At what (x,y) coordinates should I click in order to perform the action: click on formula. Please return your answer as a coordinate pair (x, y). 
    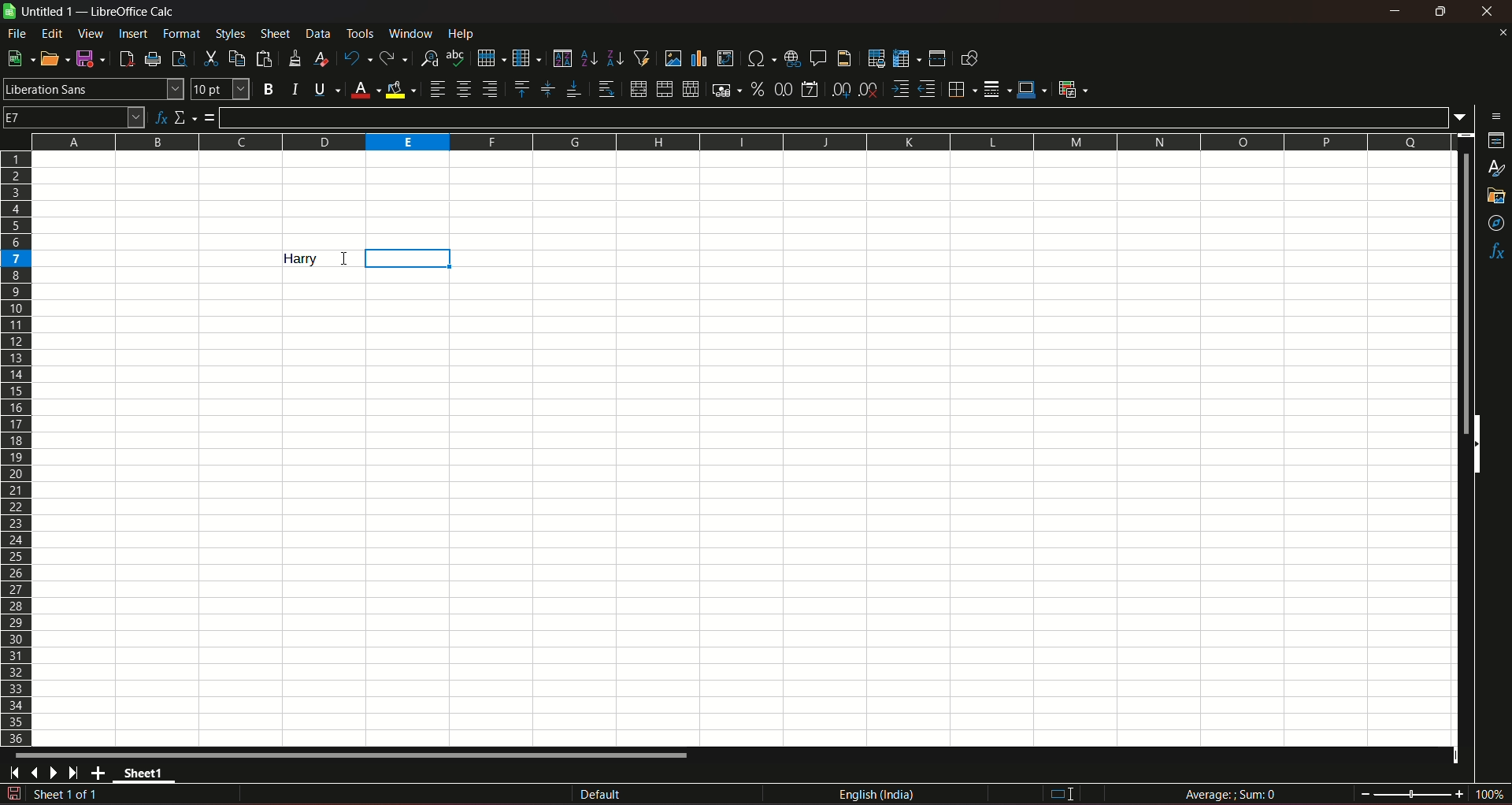
    Looking at the image, I should click on (1233, 794).